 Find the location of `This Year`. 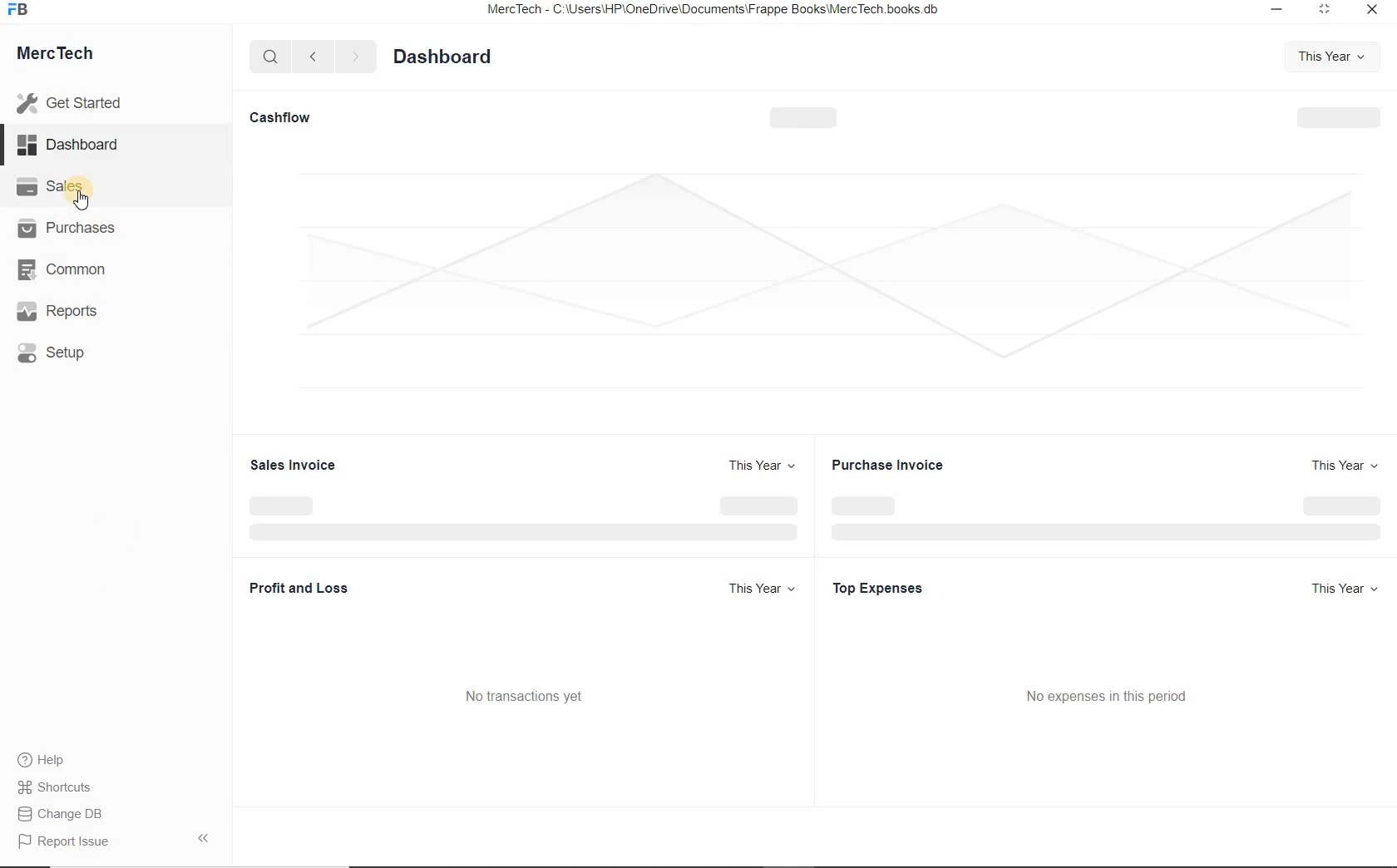

This Year is located at coordinates (1327, 57).